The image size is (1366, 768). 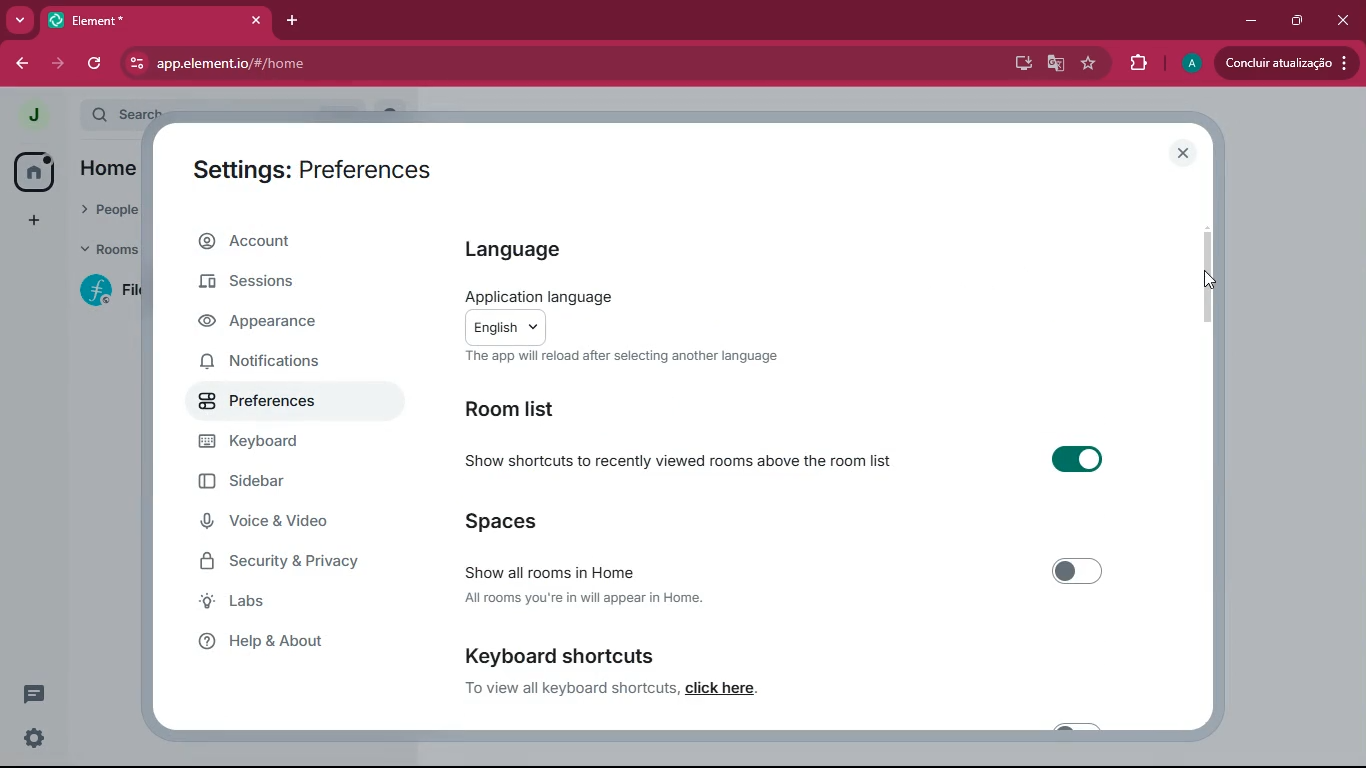 I want to click on keyboard, so click(x=282, y=442).